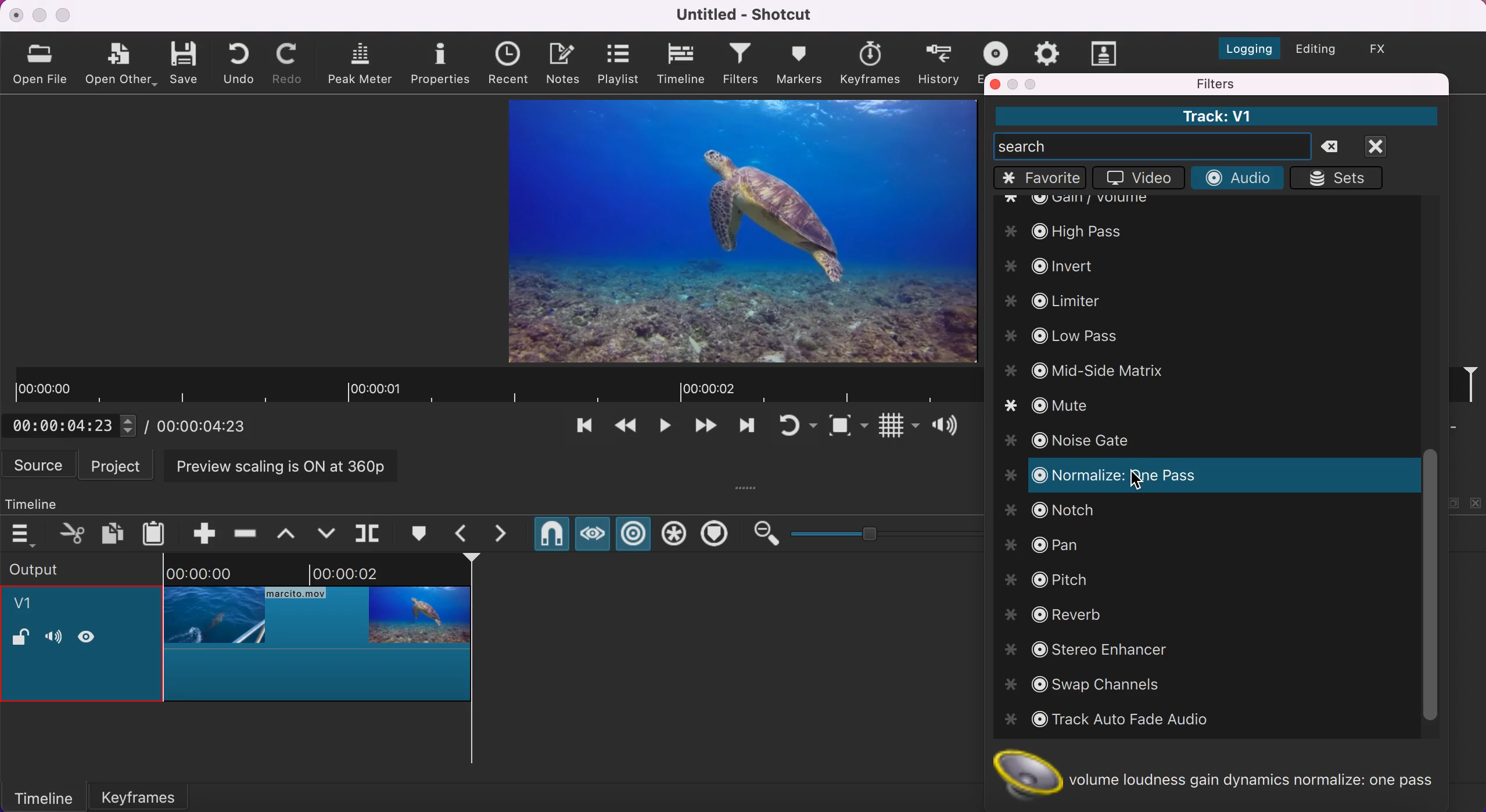  I want to click on peak meter, so click(362, 64).